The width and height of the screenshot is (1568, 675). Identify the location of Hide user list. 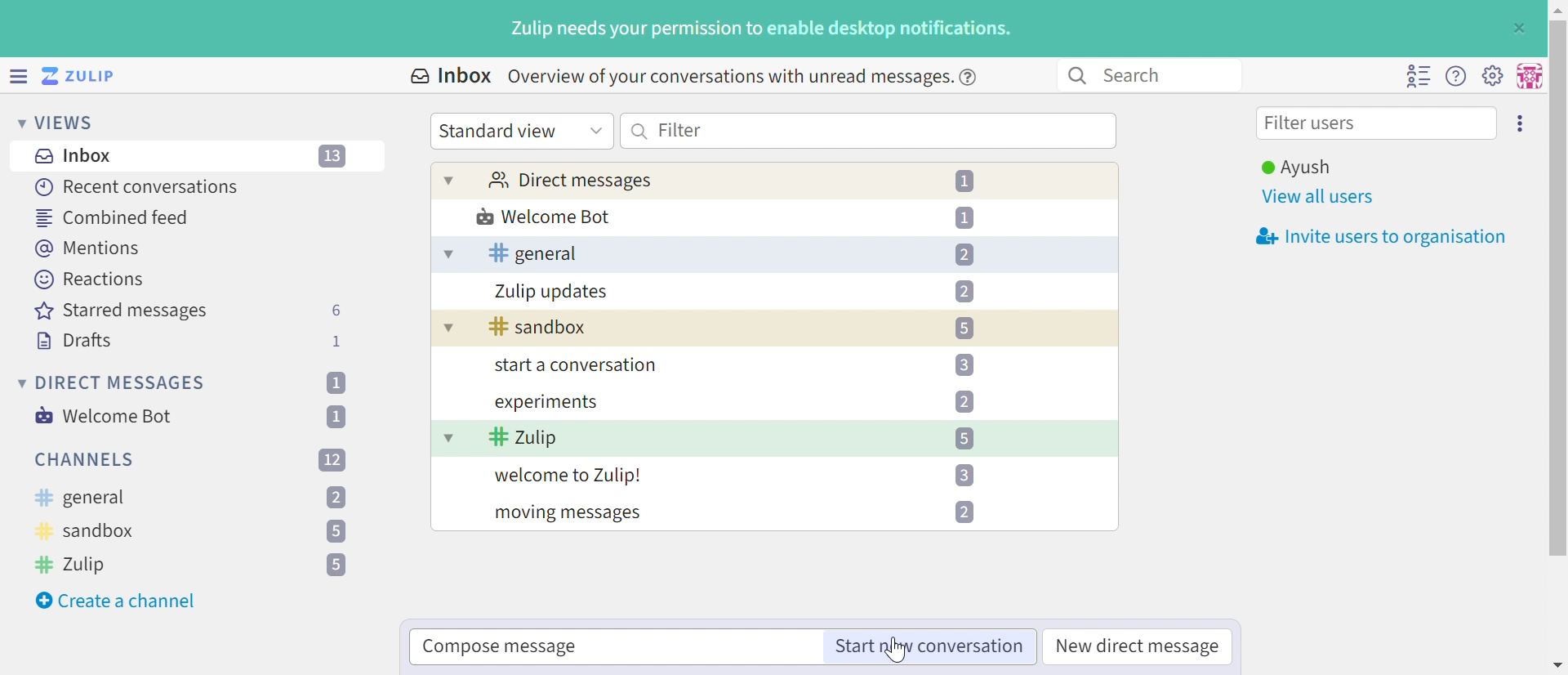
(1418, 76).